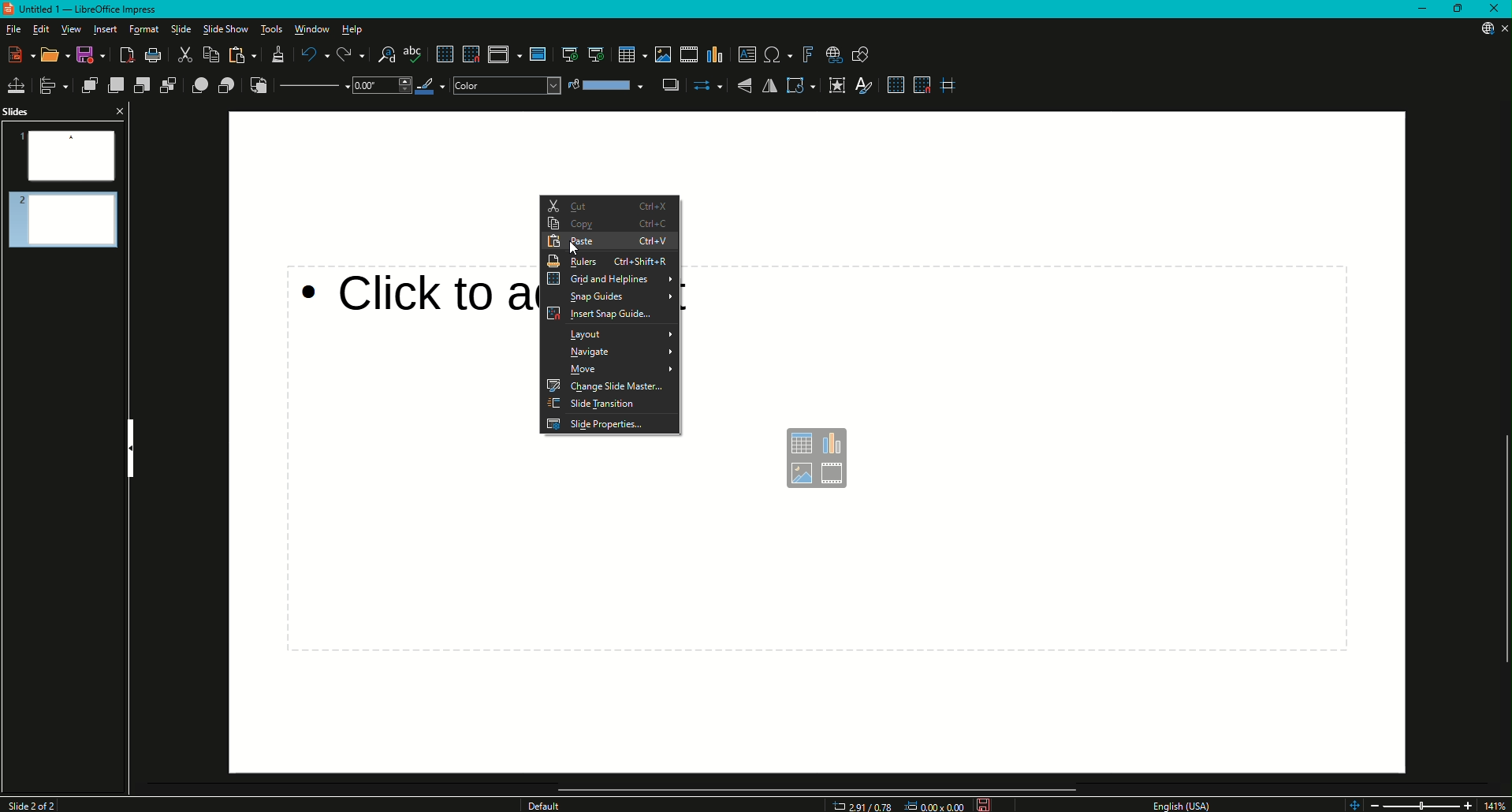 This screenshot has width=1512, height=812. What do you see at coordinates (378, 89) in the screenshot?
I see `Drop Down` at bounding box center [378, 89].